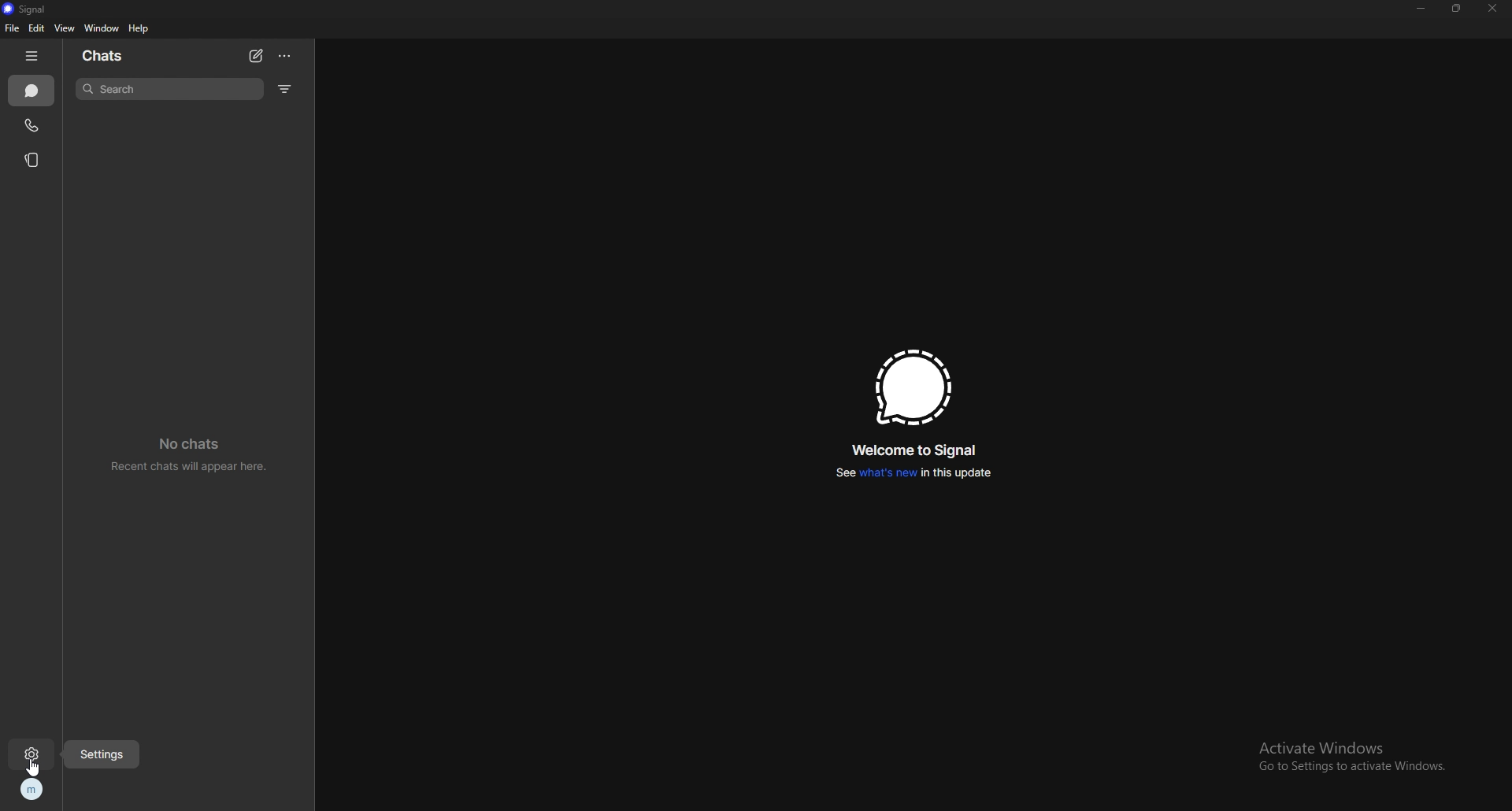 The image size is (1512, 811). What do you see at coordinates (11, 28) in the screenshot?
I see `file` at bounding box center [11, 28].